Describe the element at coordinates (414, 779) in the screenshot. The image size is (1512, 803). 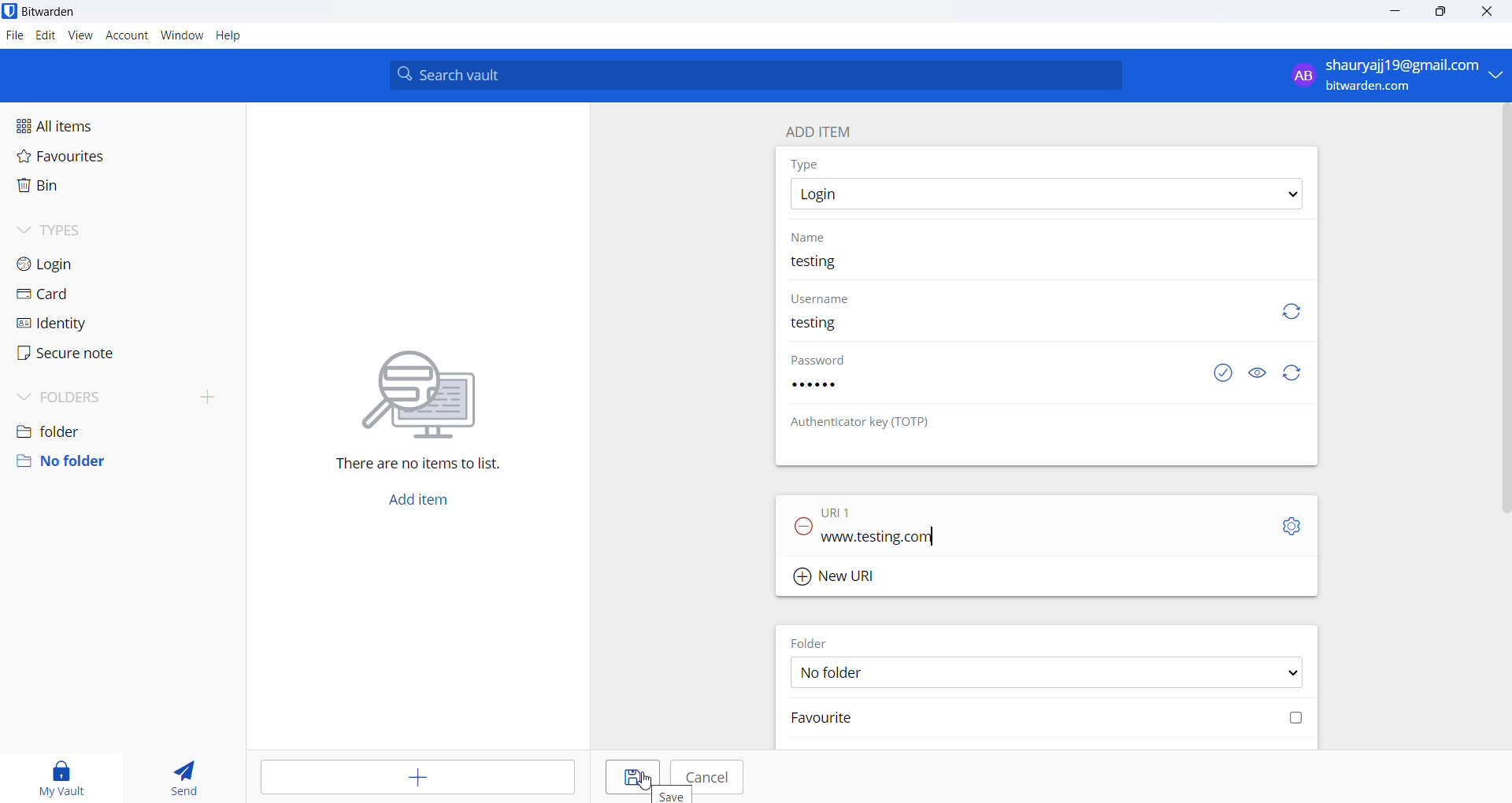
I see `add entry` at that location.